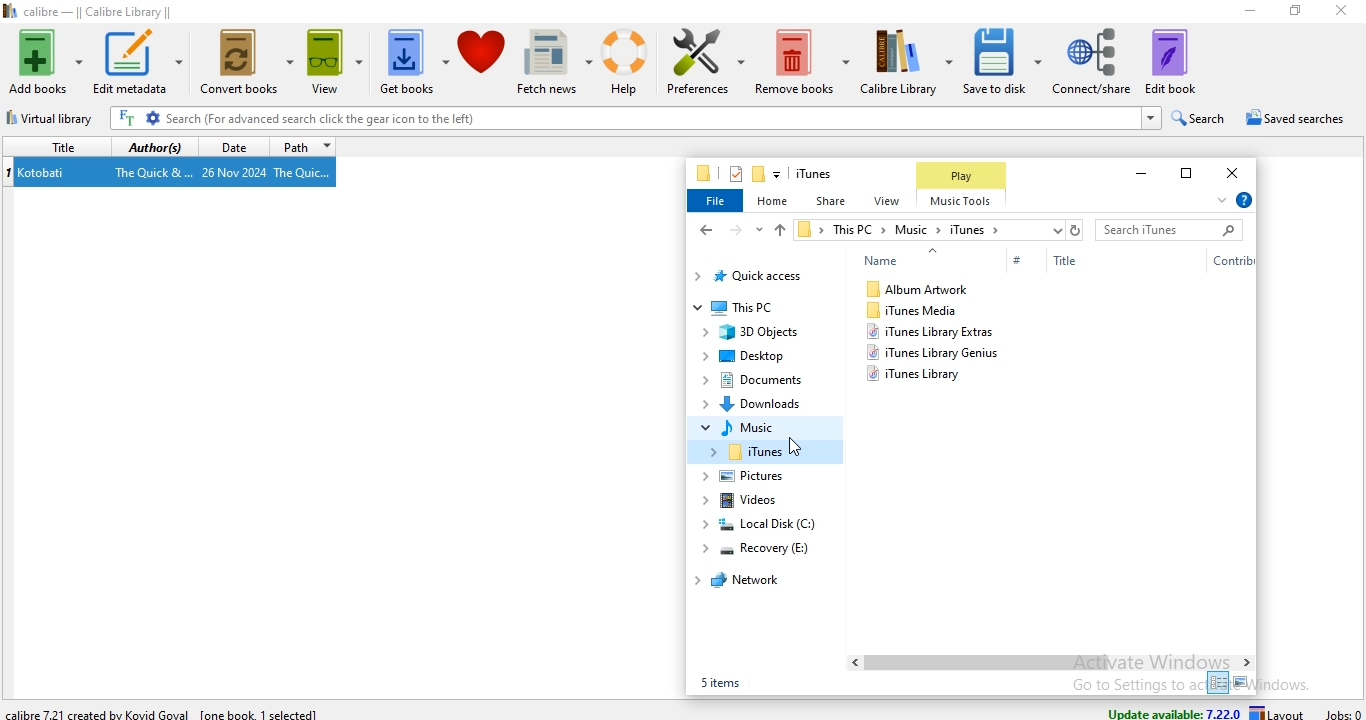 The image size is (1366, 720). What do you see at coordinates (921, 312) in the screenshot?
I see `iTunes Media` at bounding box center [921, 312].